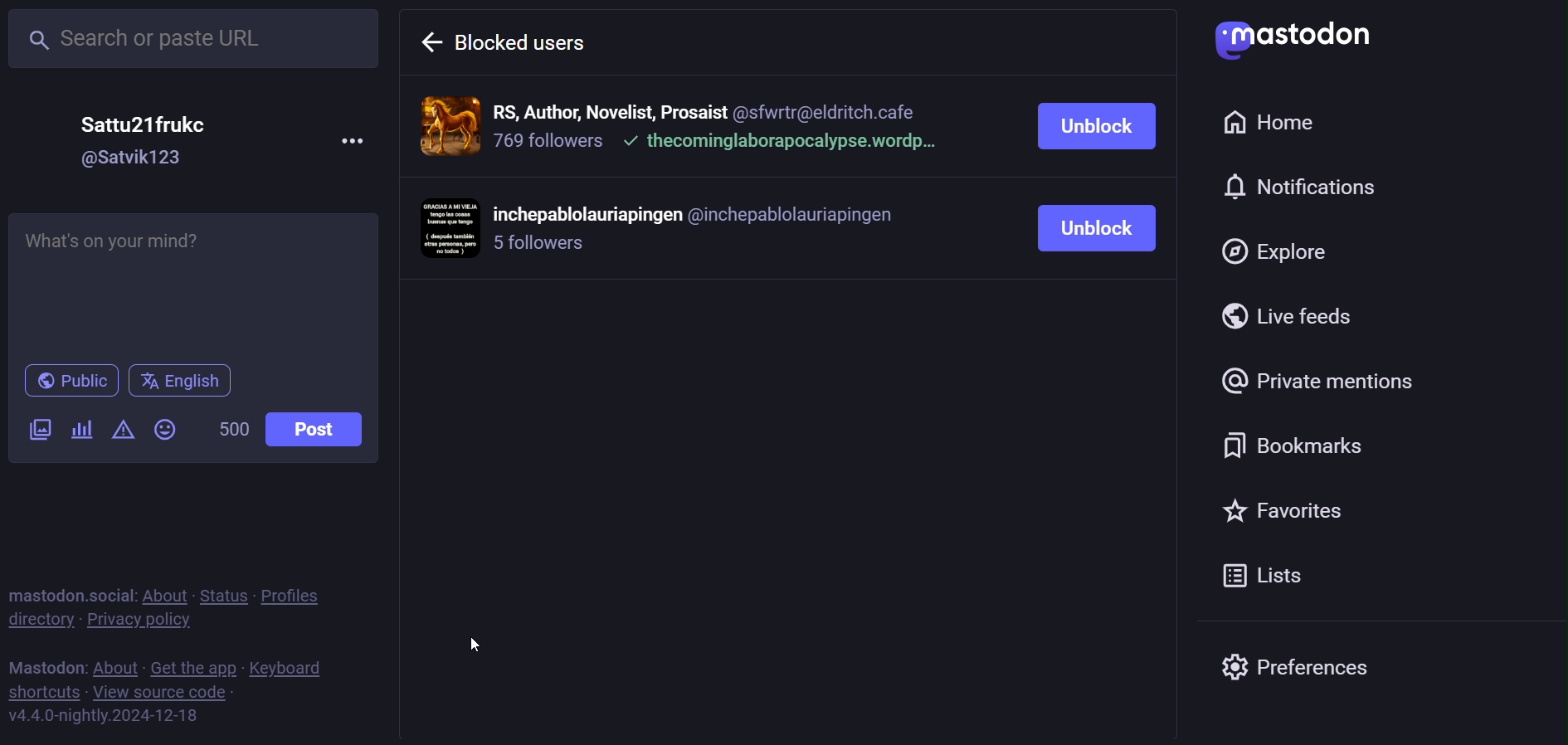  I want to click on mastodon, so click(1288, 41).